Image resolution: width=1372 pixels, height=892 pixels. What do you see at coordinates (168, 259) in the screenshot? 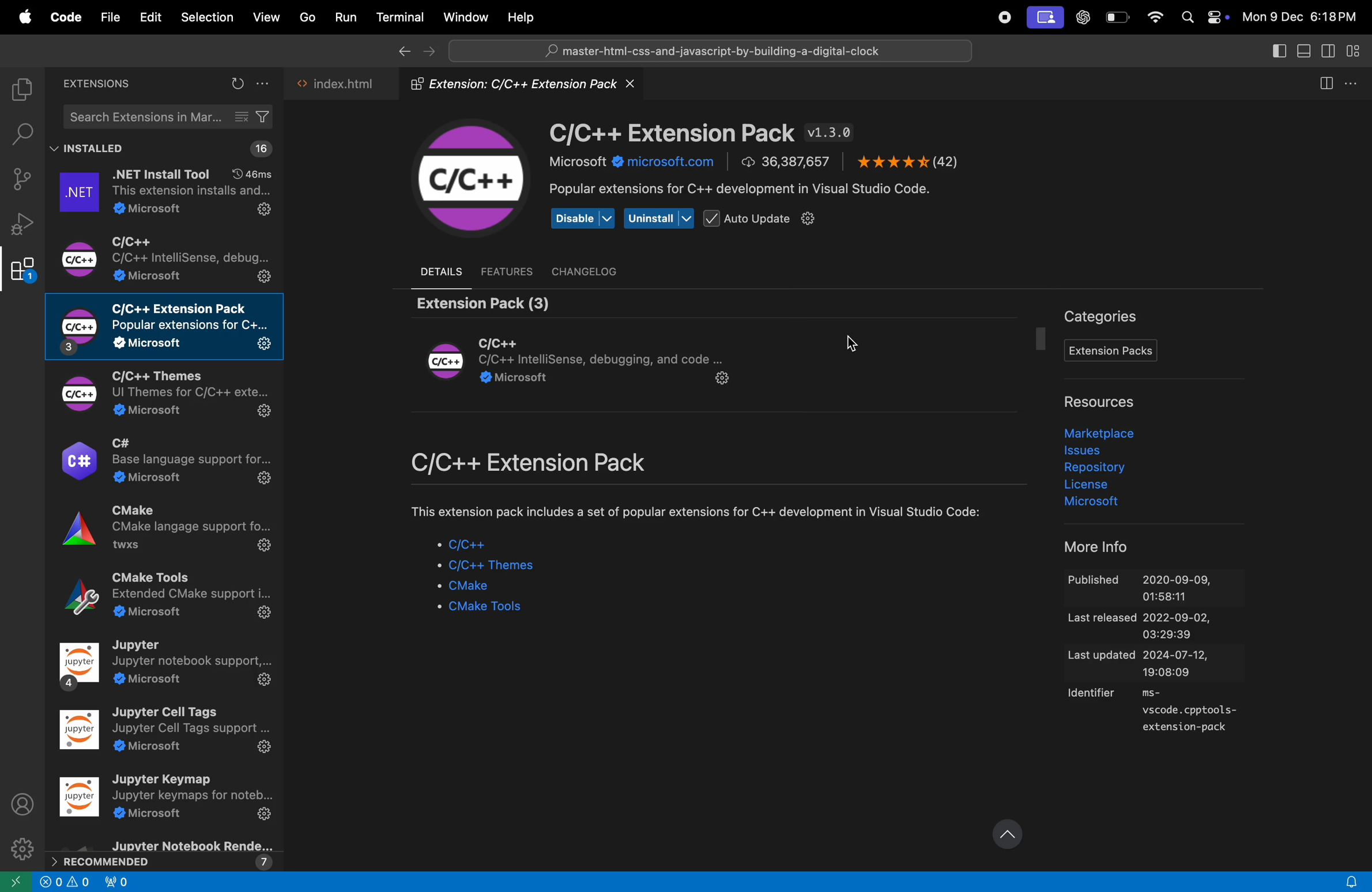
I see `c/C++ extesnsiomns` at bounding box center [168, 259].